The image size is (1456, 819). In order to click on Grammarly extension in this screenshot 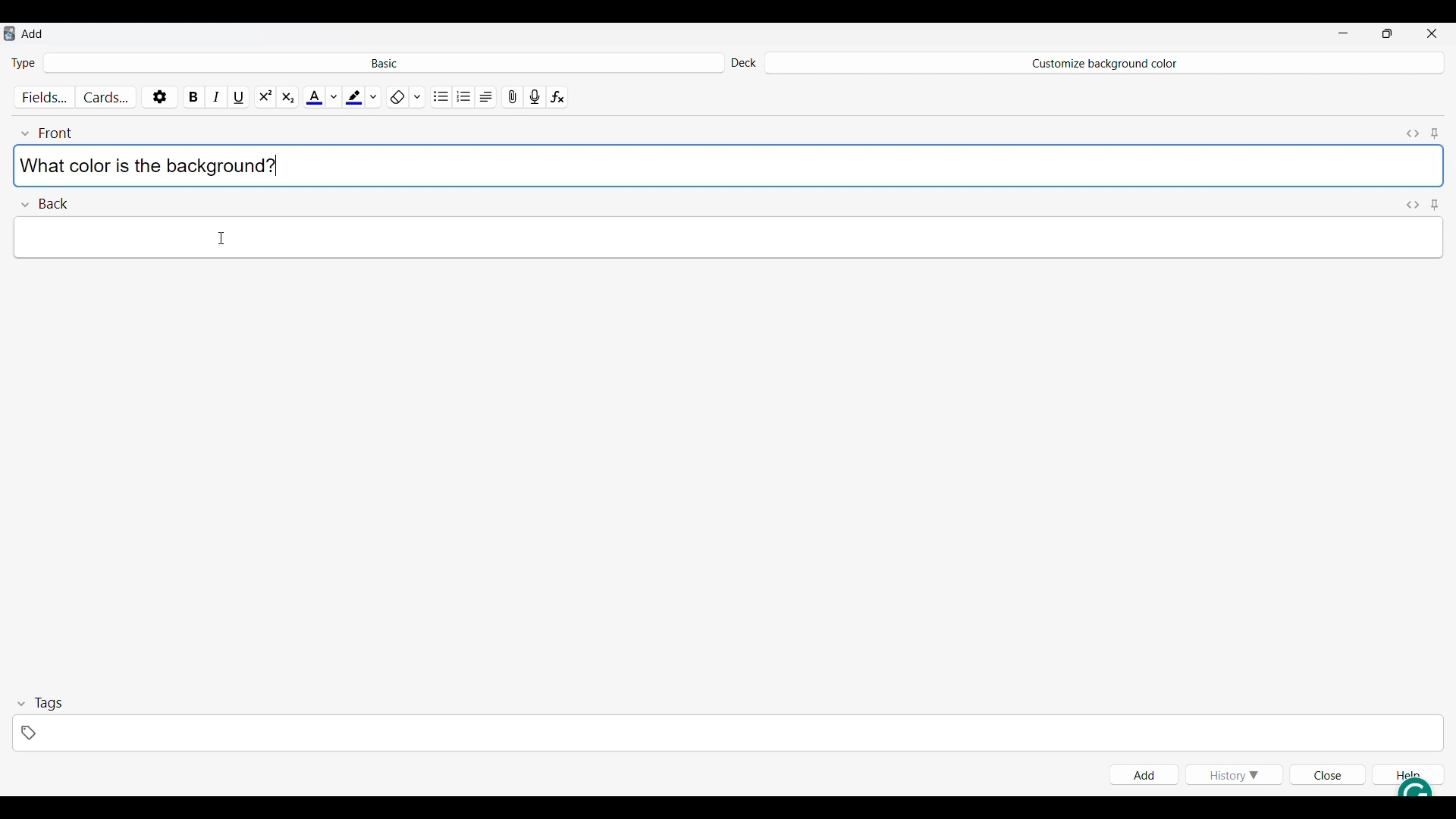, I will do `click(1401, 786)`.